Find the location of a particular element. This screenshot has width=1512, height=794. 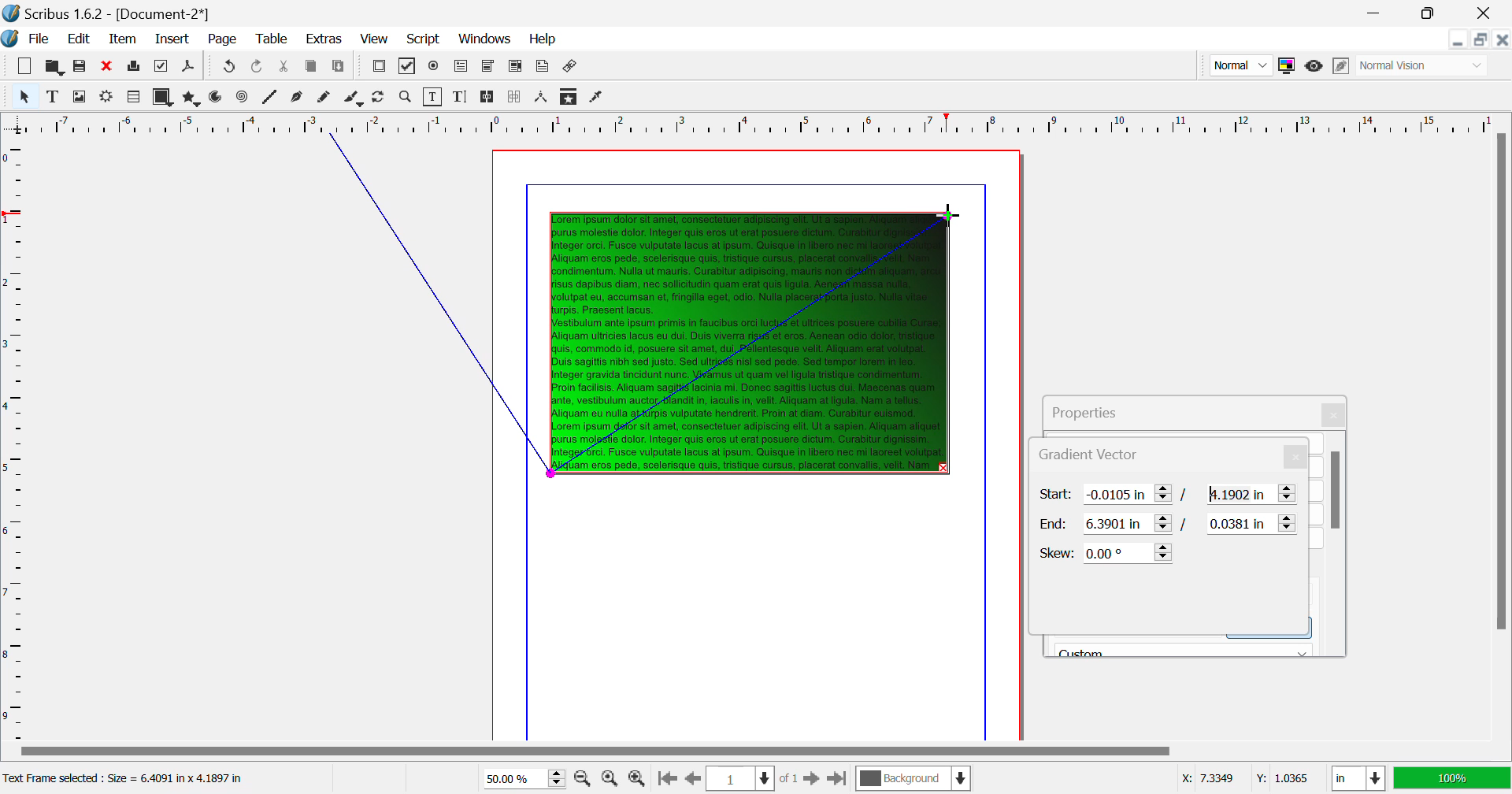

Pdf Text Fields is located at coordinates (461, 67).